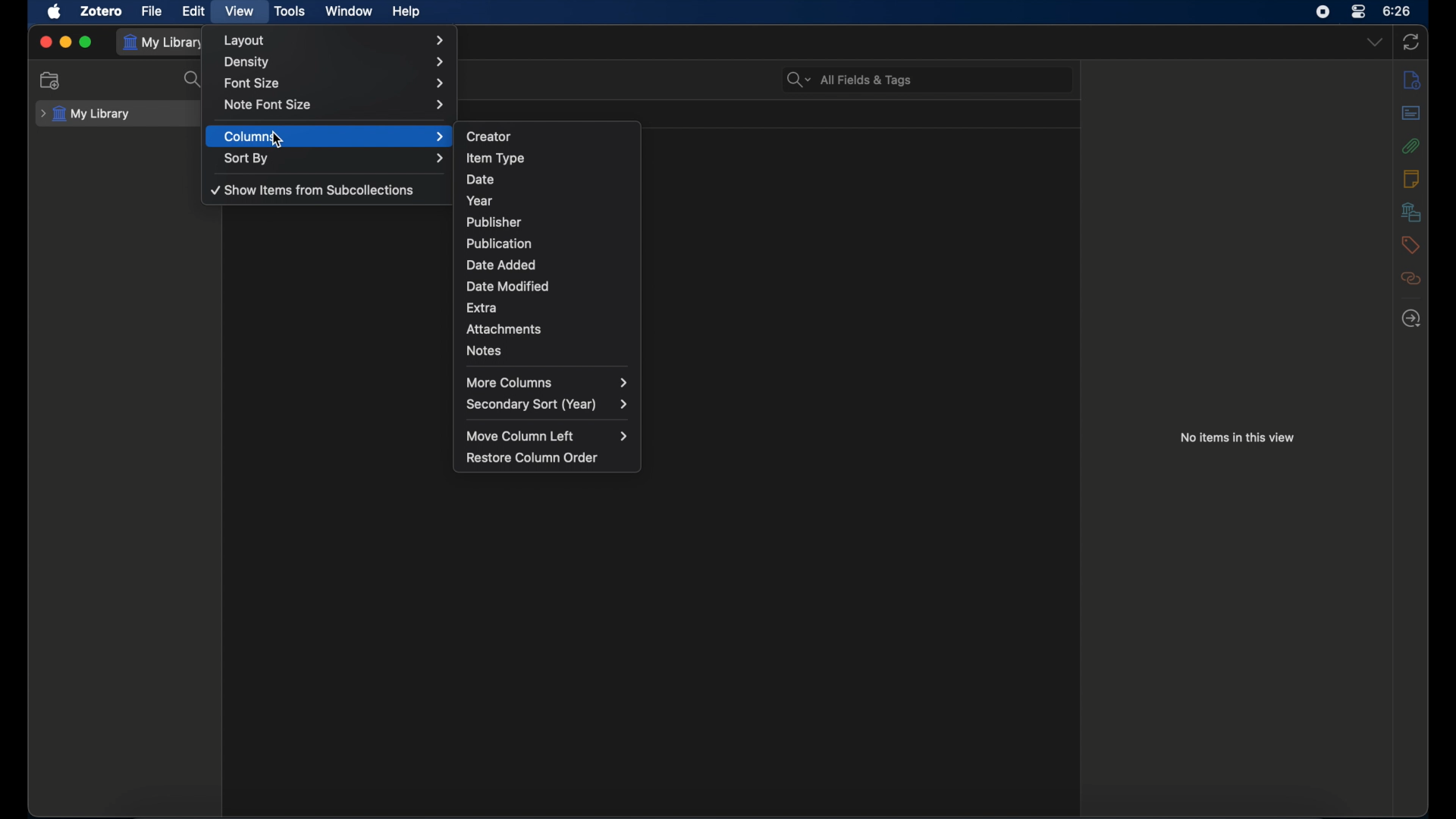  What do you see at coordinates (1411, 145) in the screenshot?
I see `attachments` at bounding box center [1411, 145].